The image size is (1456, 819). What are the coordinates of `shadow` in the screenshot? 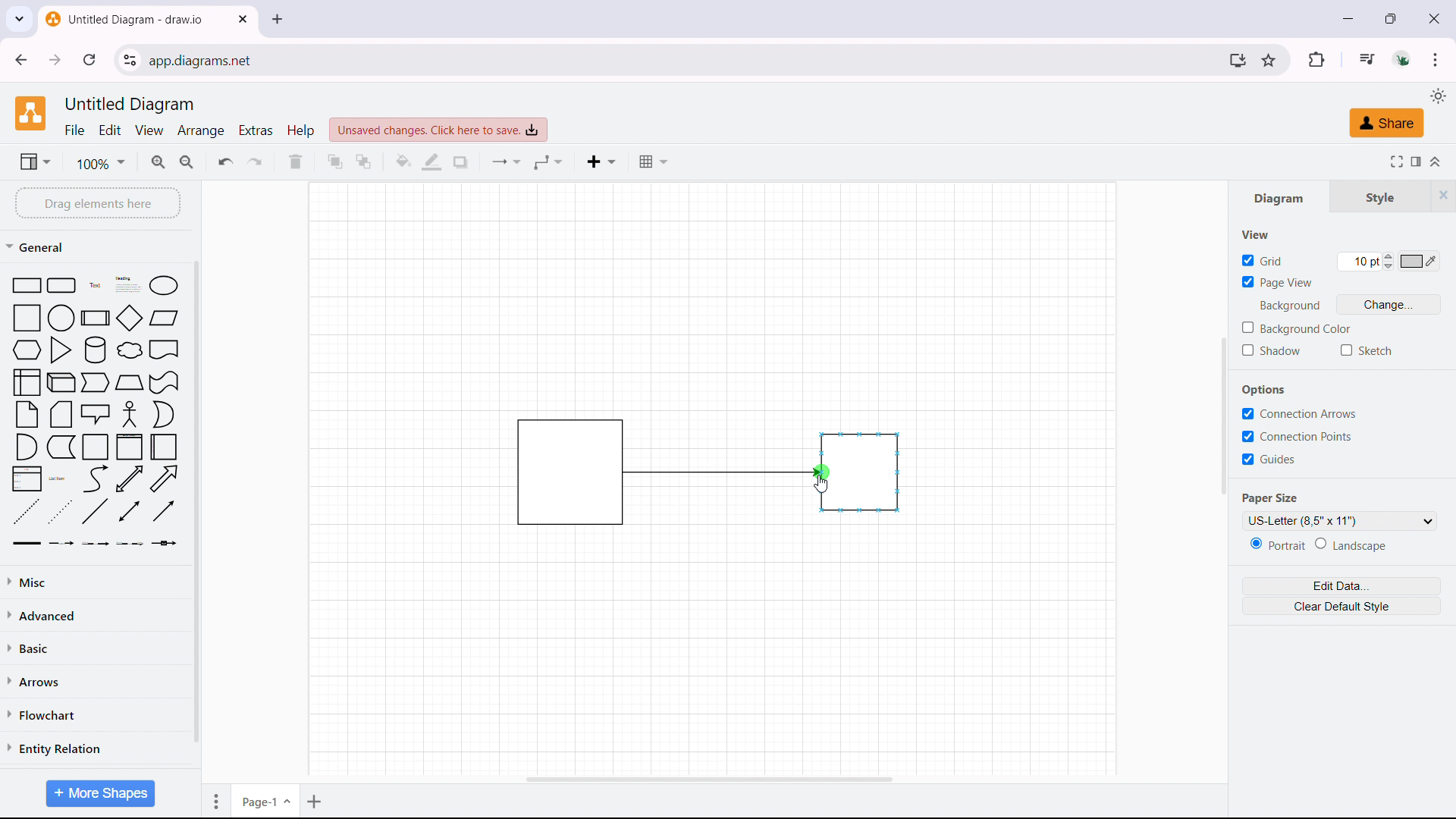 It's located at (460, 162).